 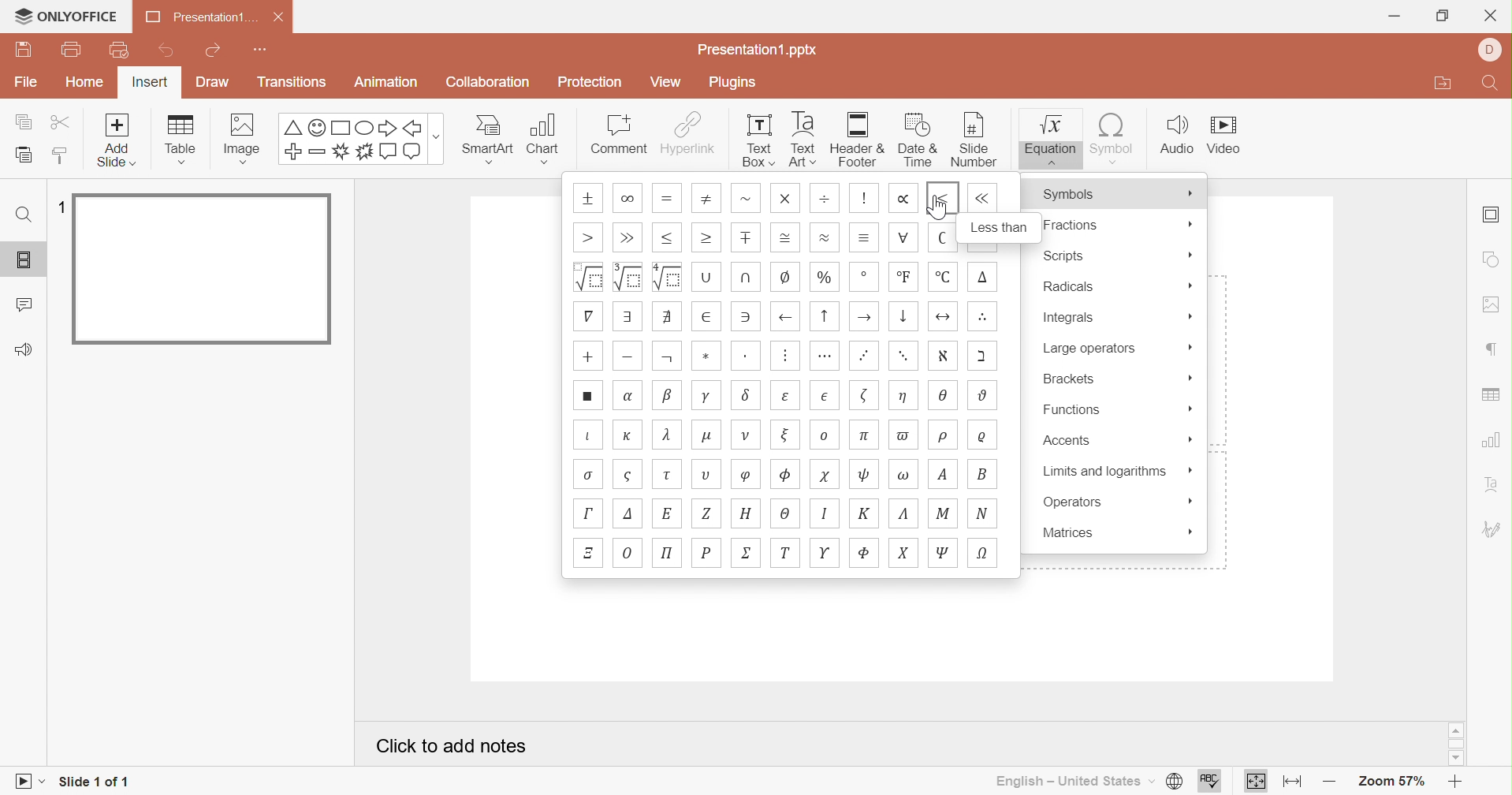 What do you see at coordinates (1228, 133) in the screenshot?
I see `Video` at bounding box center [1228, 133].